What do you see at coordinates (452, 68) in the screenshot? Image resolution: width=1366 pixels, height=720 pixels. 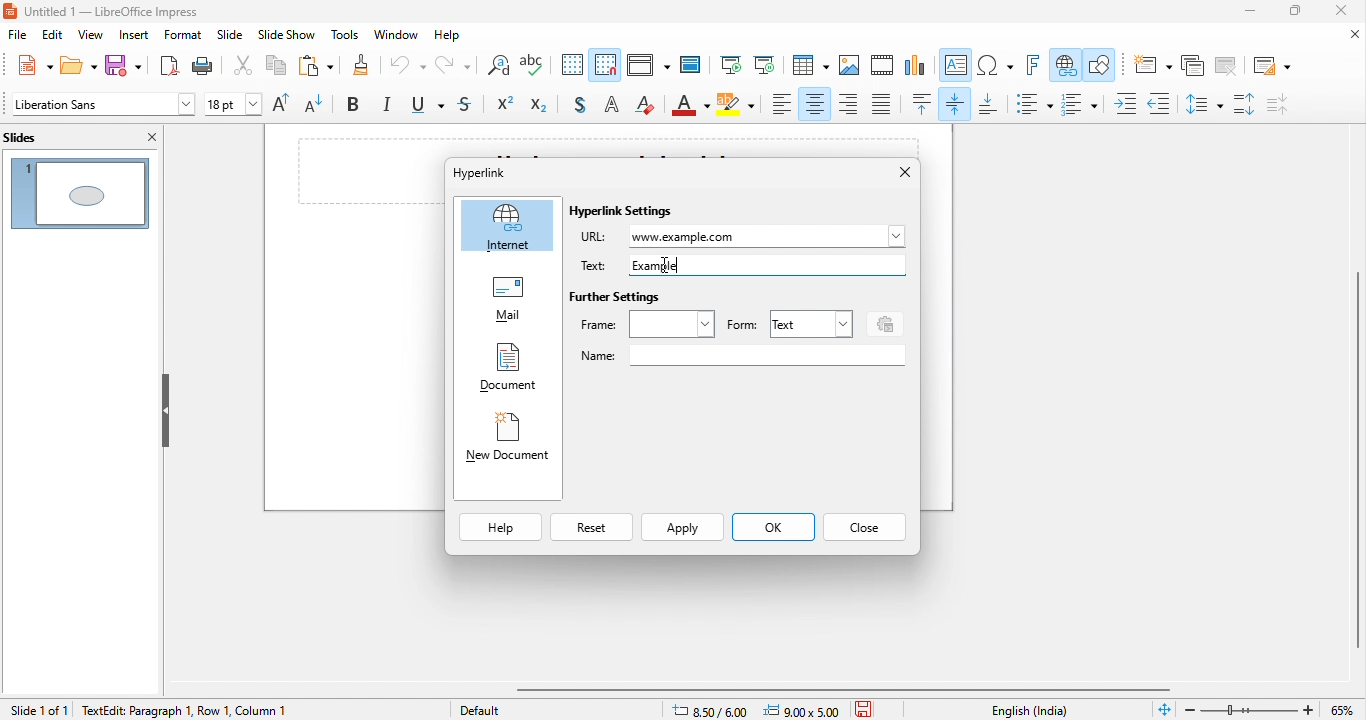 I see `redo` at bounding box center [452, 68].